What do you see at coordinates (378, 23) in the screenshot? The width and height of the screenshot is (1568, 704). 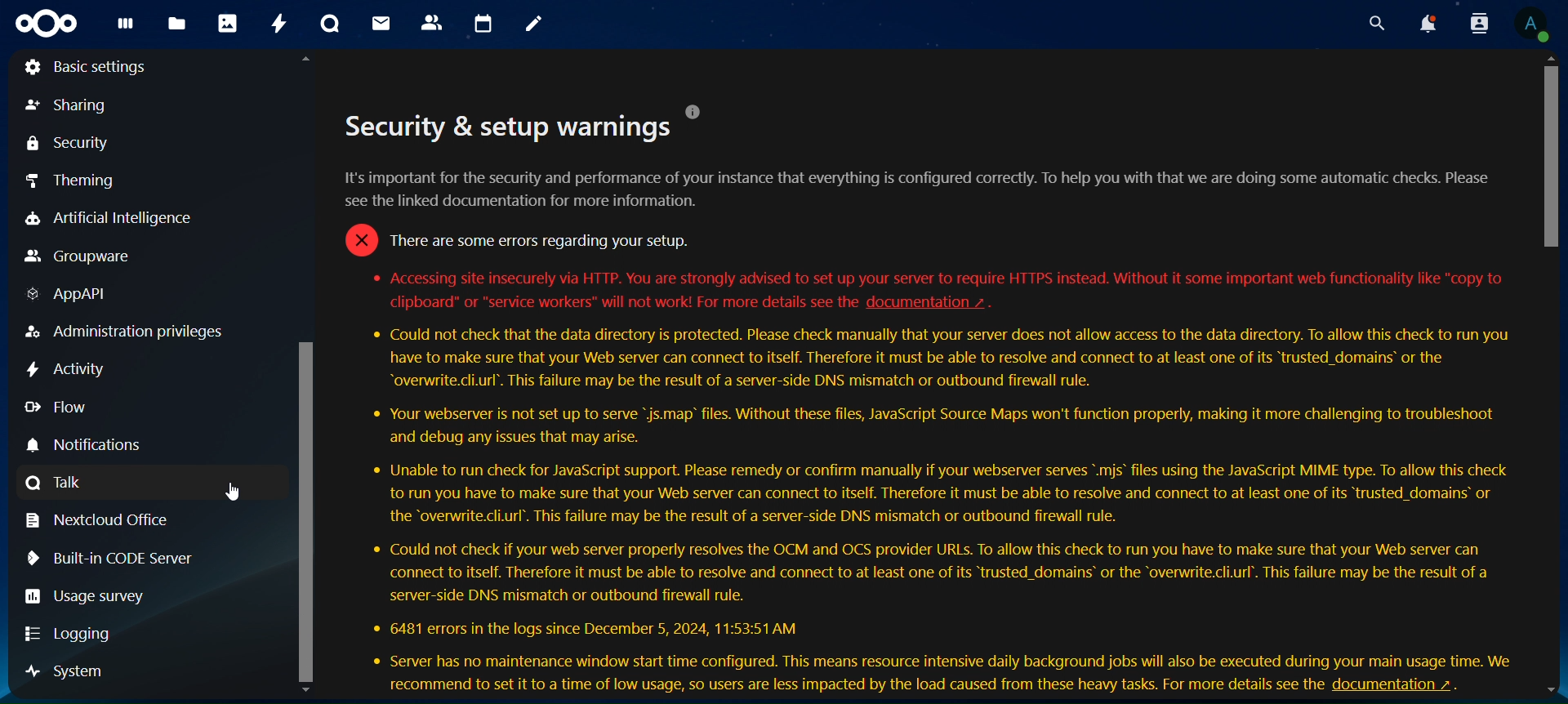 I see `mail` at bounding box center [378, 23].